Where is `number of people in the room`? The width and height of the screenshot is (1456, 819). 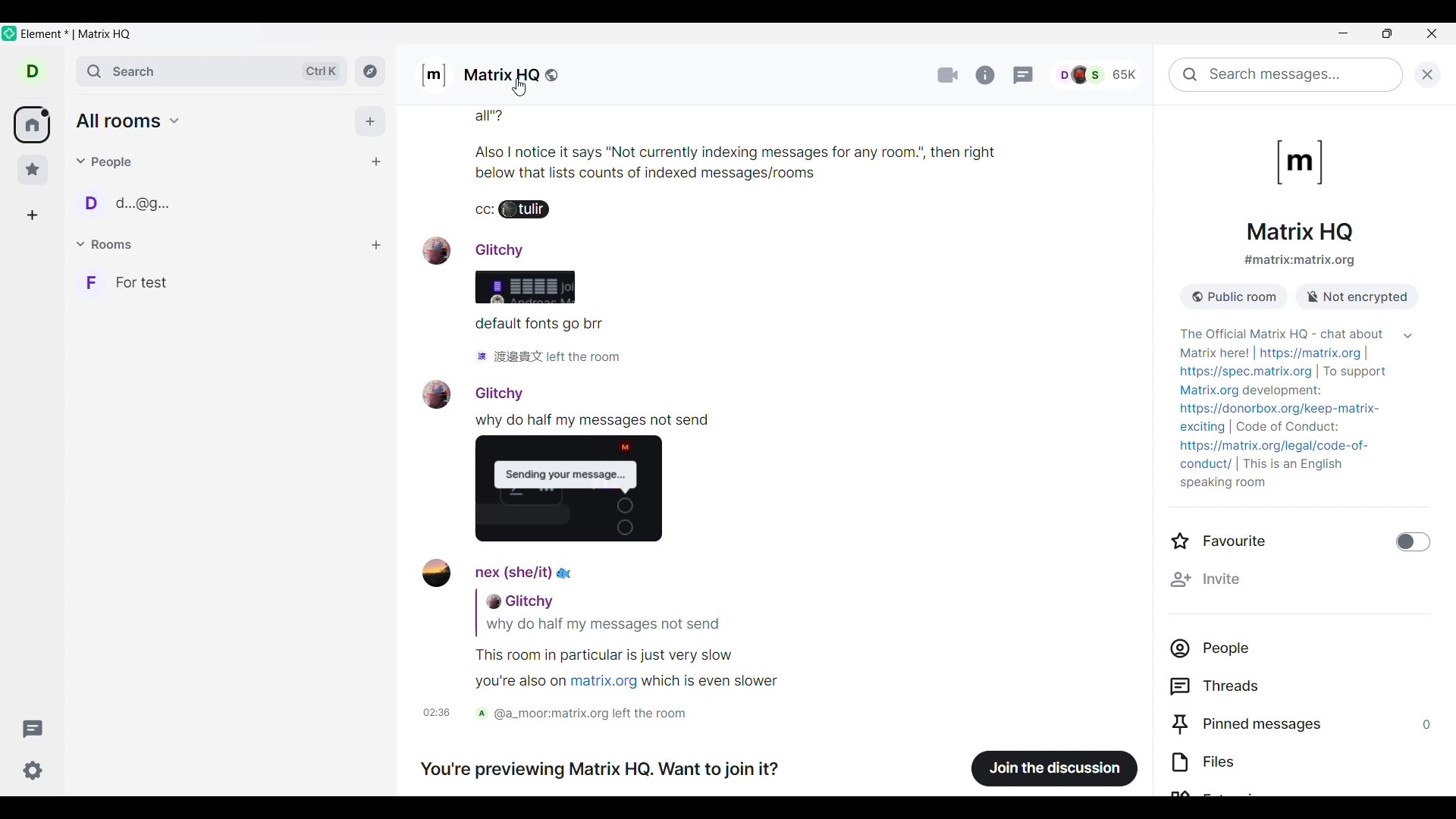 number of people in the room is located at coordinates (1103, 73).